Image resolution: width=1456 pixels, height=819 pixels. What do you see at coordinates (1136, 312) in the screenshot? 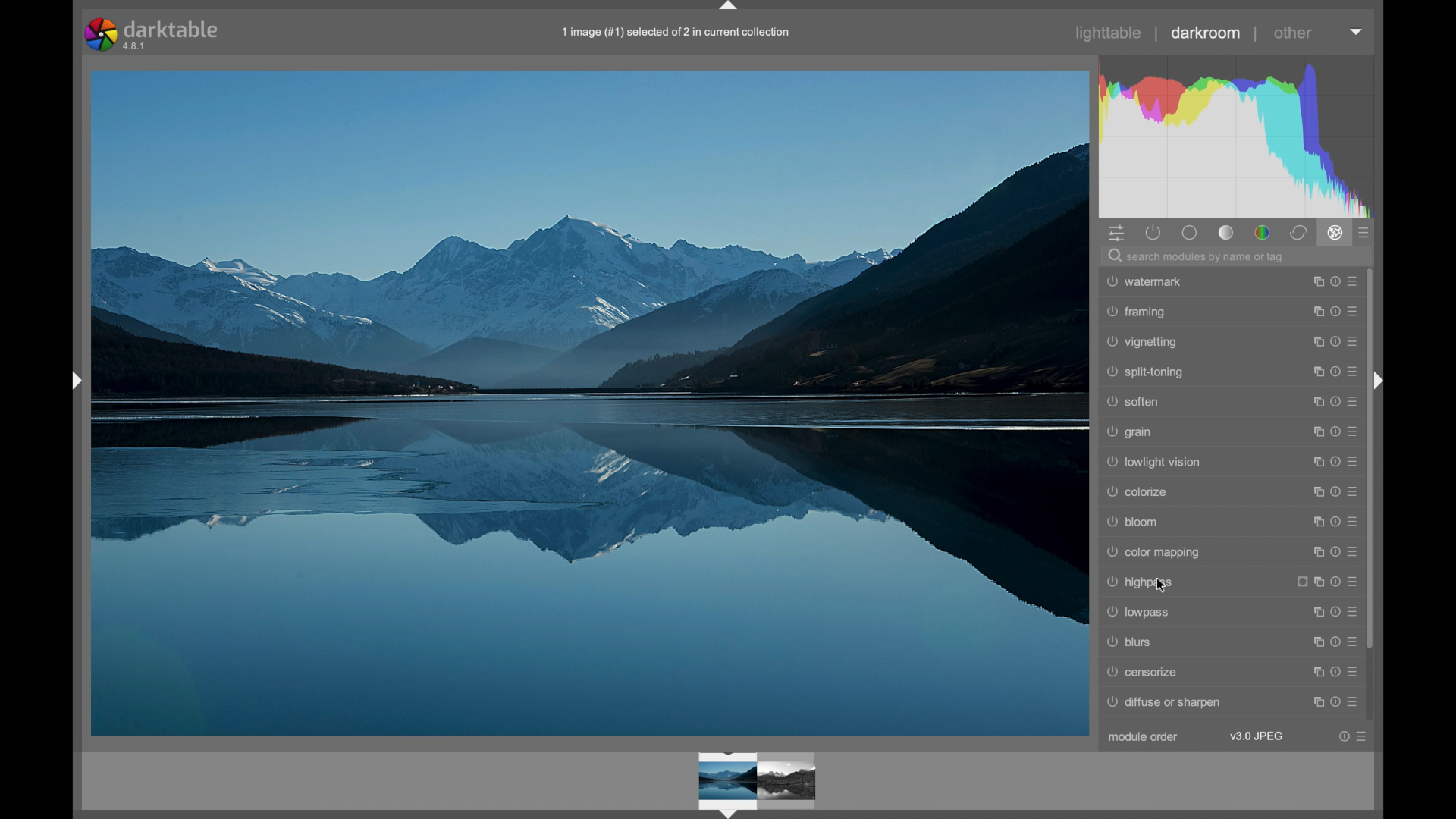
I see `framing` at bounding box center [1136, 312].